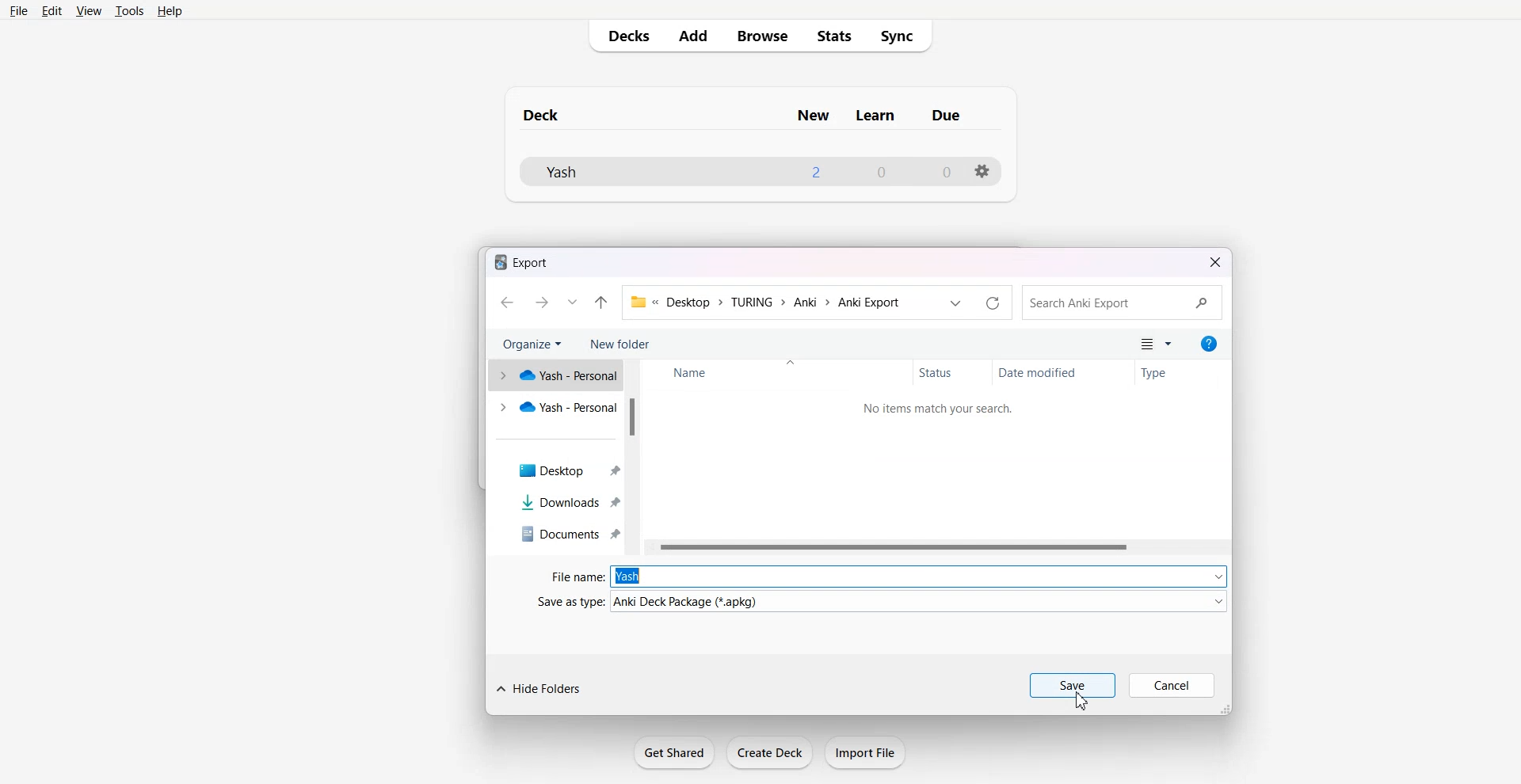  Describe the element at coordinates (89, 12) in the screenshot. I see `View` at that location.